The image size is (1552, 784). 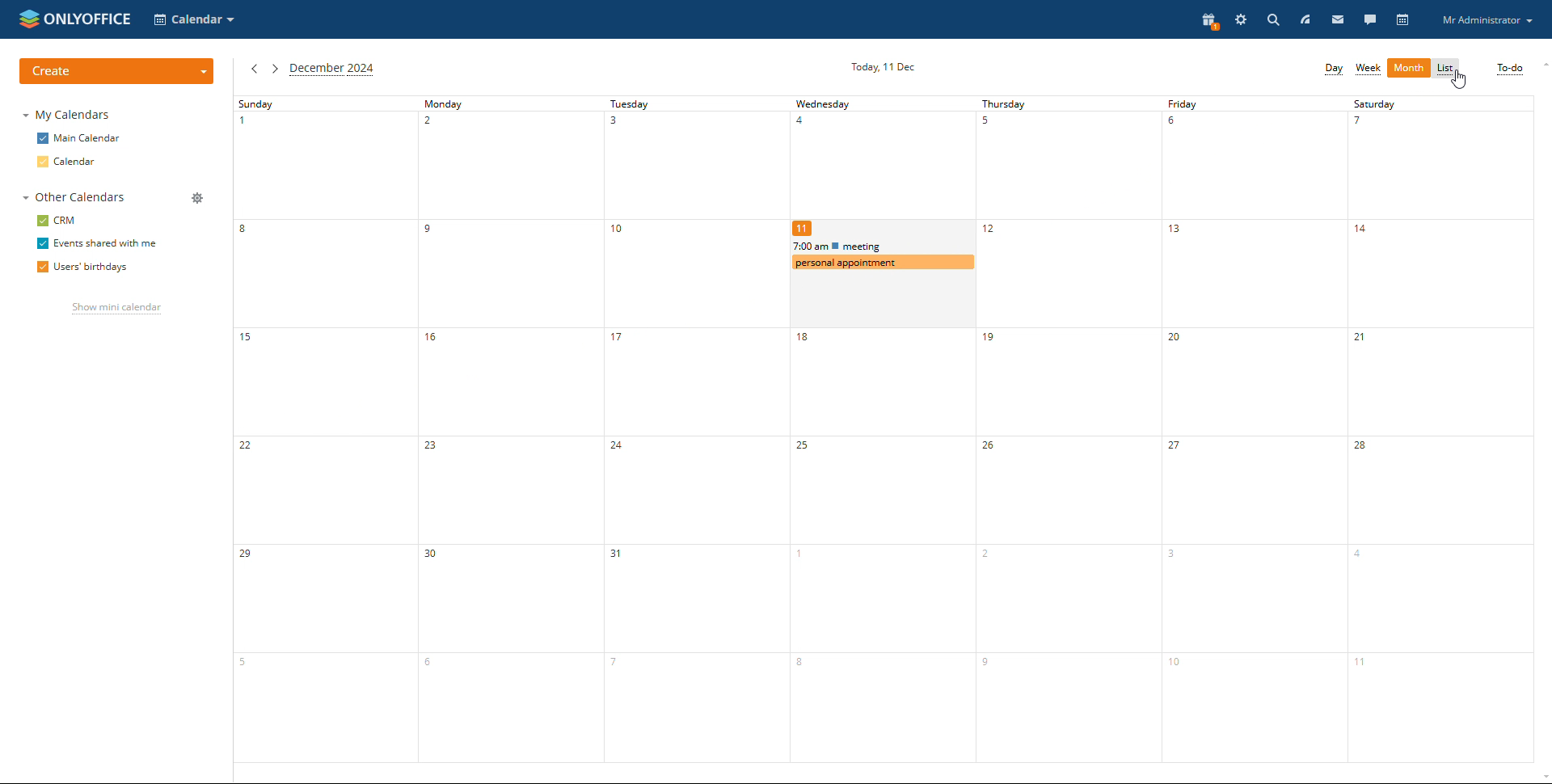 I want to click on calender, so click(x=508, y=429).